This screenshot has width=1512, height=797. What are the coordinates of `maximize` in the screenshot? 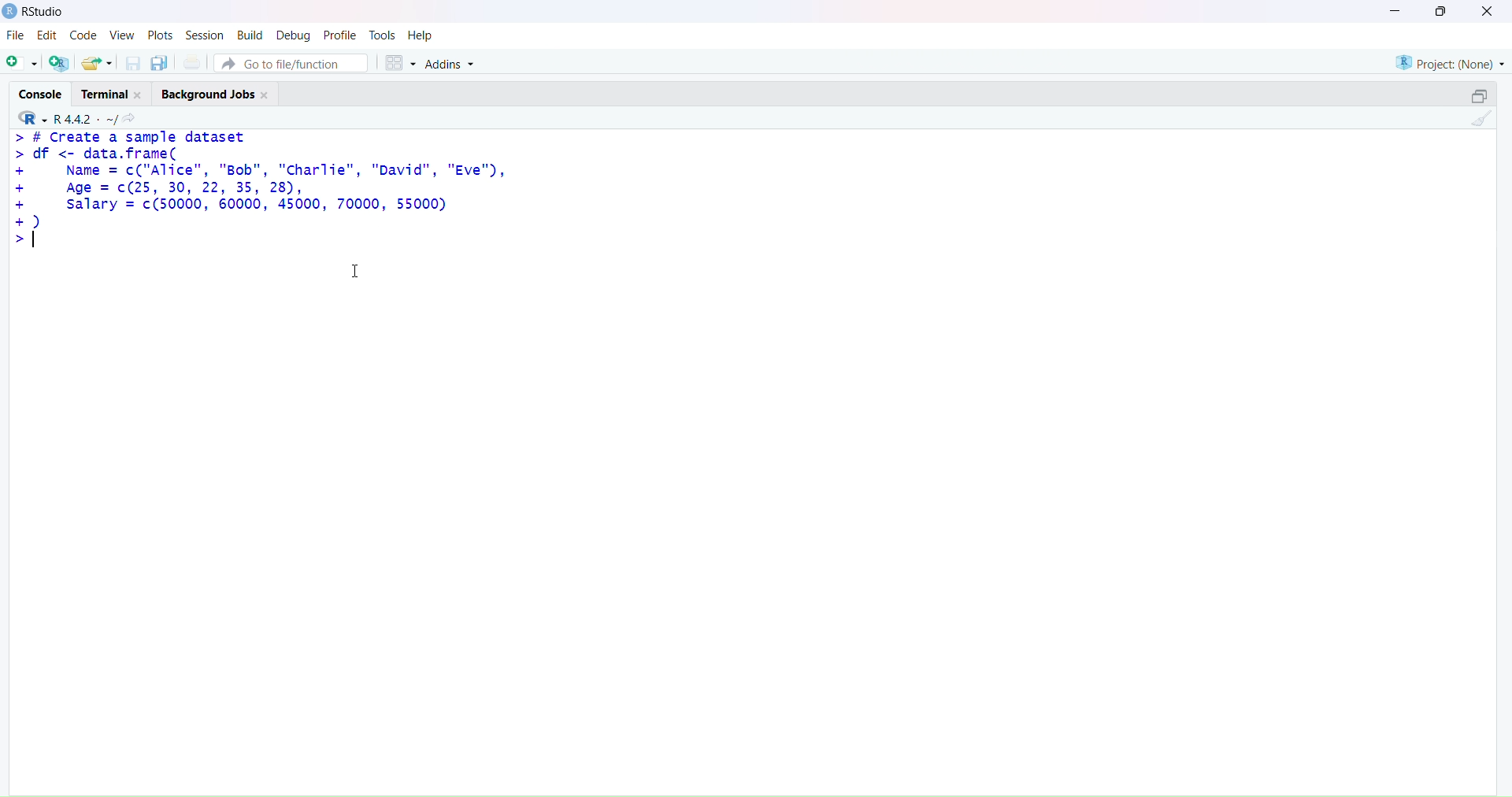 It's located at (1447, 12).